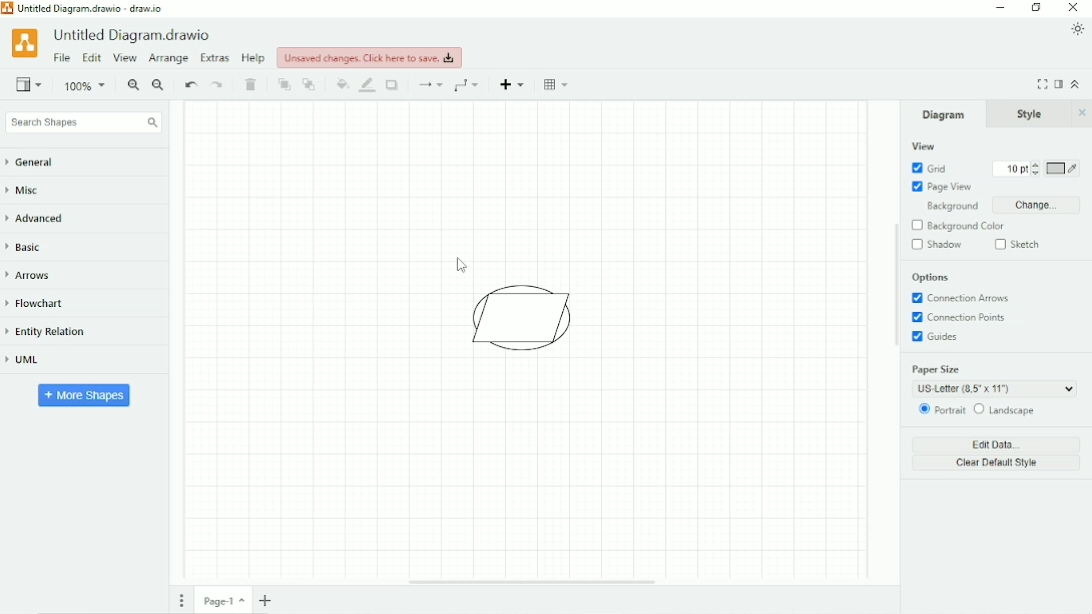 This screenshot has width=1092, height=614. Describe the element at coordinates (967, 226) in the screenshot. I see `Background color` at that location.